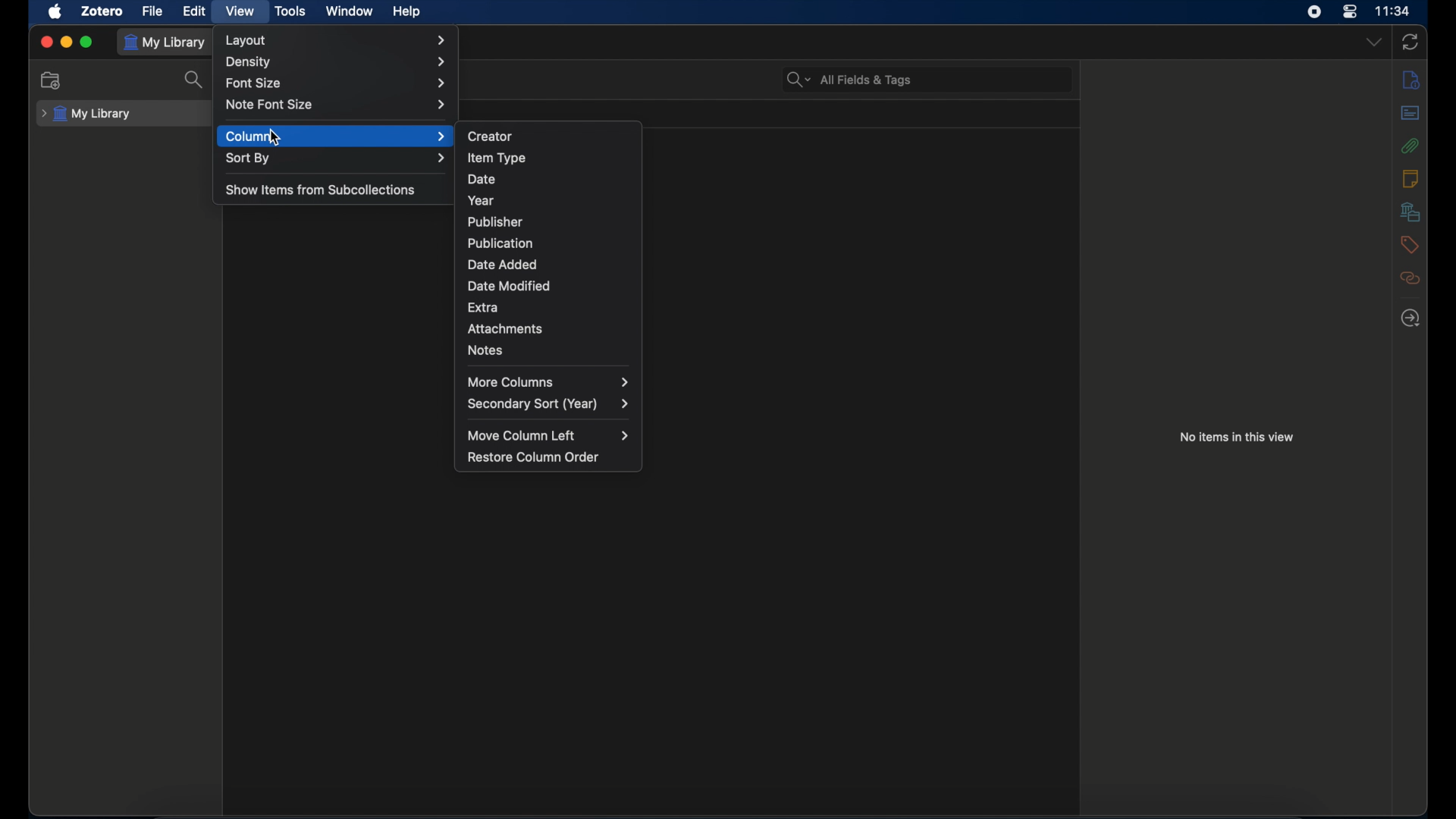 The height and width of the screenshot is (819, 1456). I want to click on sort by, so click(336, 158).